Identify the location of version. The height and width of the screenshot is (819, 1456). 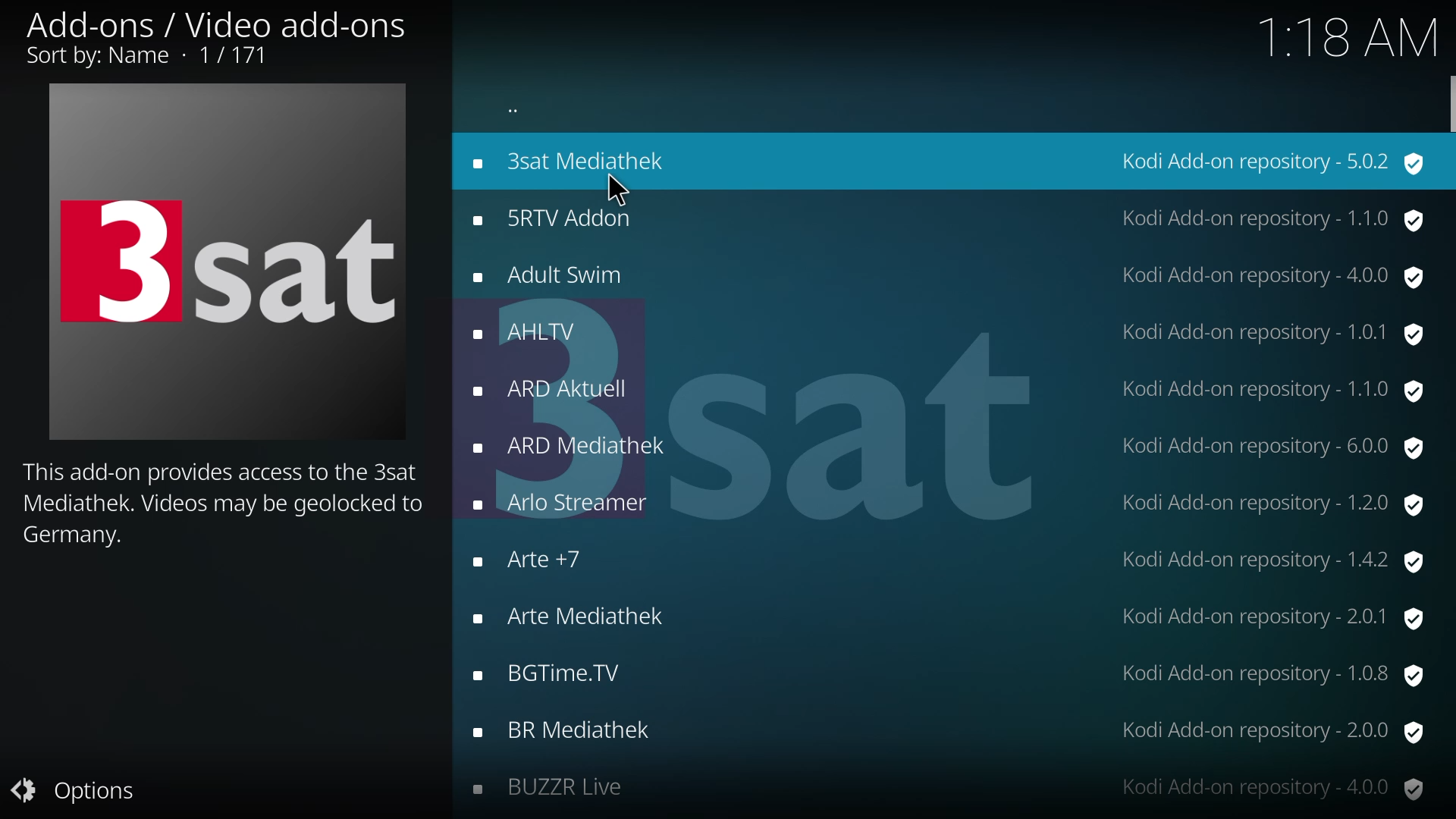
(1265, 278).